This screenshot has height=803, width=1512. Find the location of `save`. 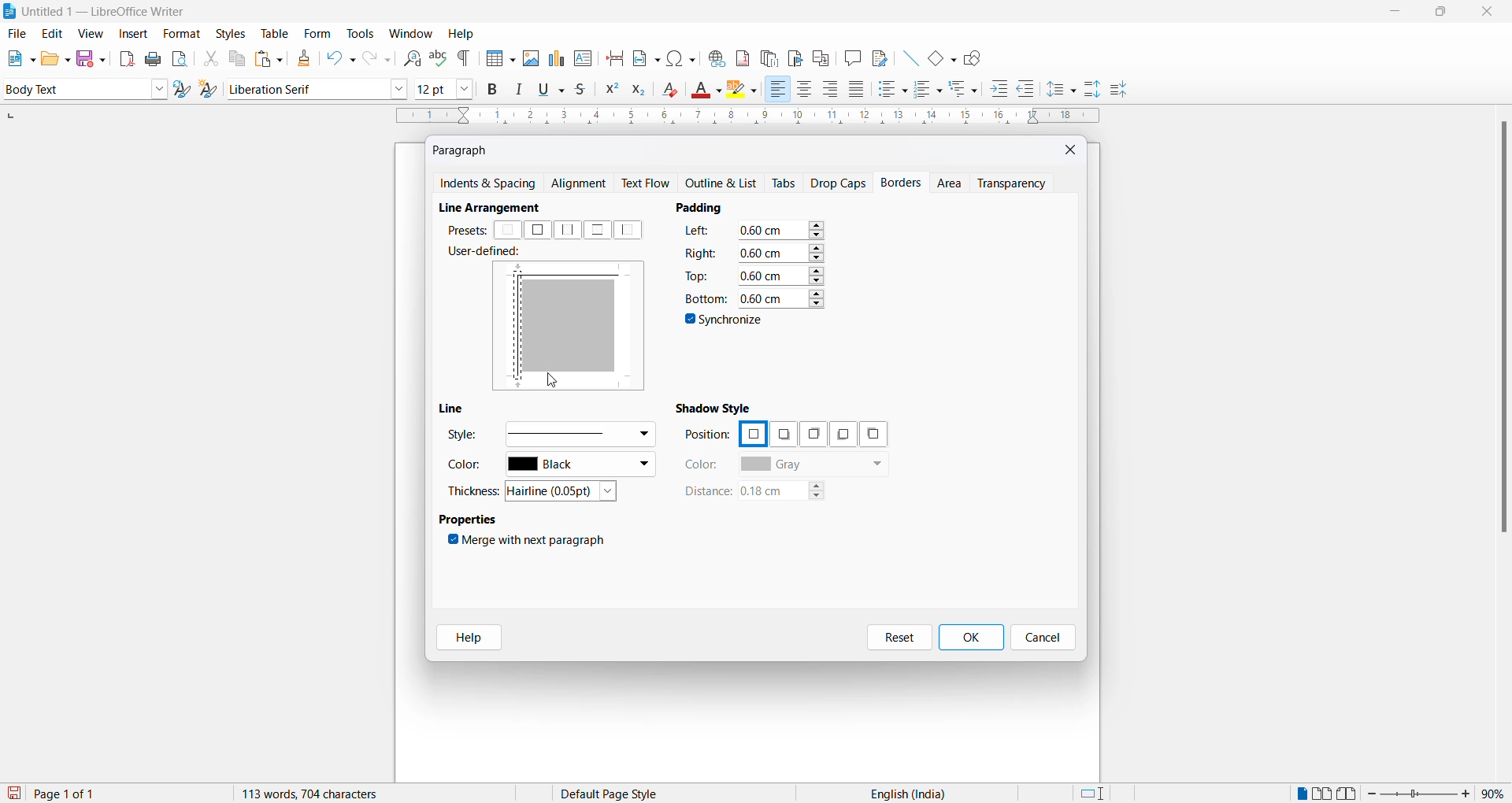

save is located at coordinates (15, 794).